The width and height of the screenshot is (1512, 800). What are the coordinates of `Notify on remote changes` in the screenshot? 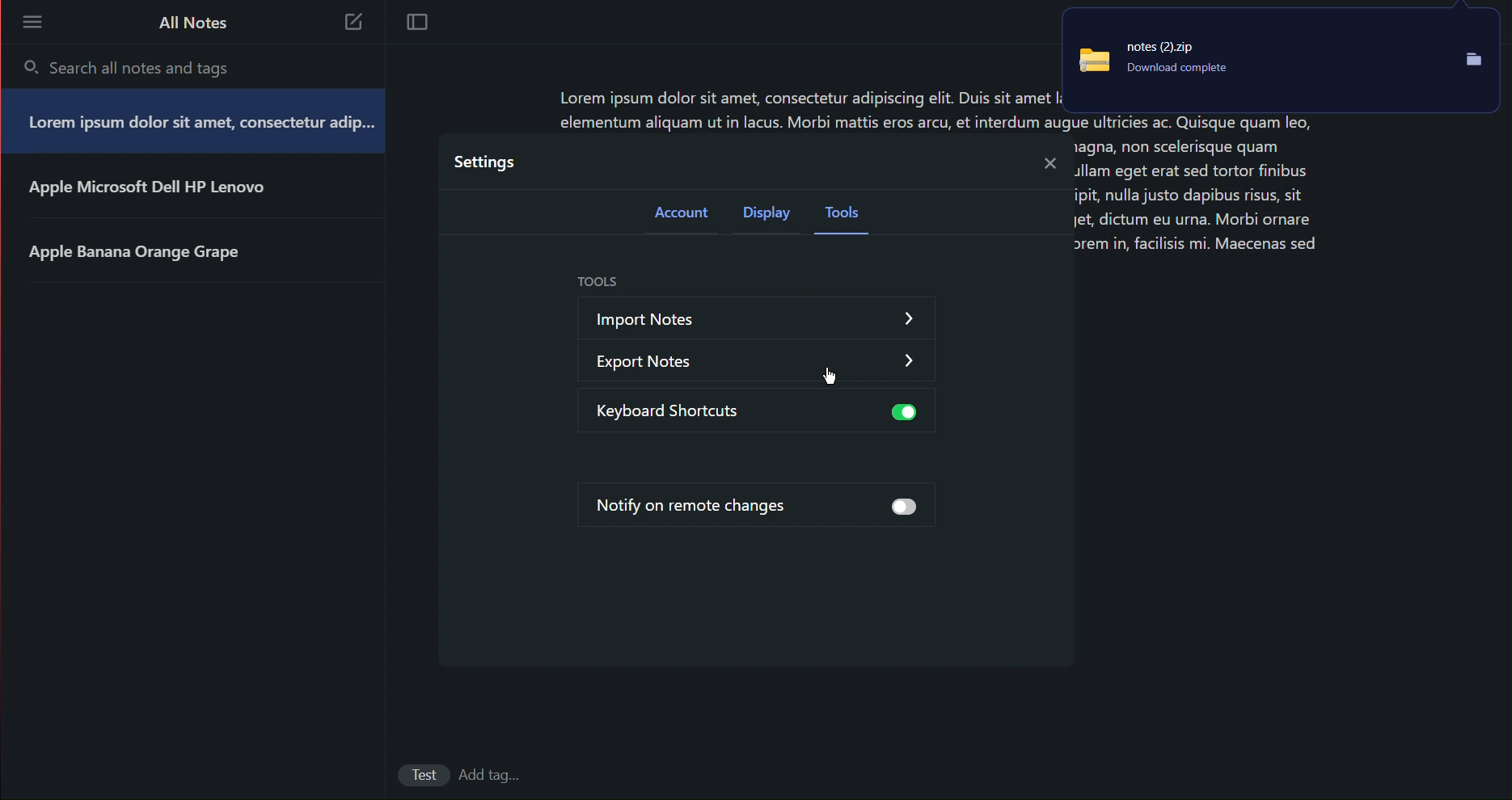 It's located at (696, 502).